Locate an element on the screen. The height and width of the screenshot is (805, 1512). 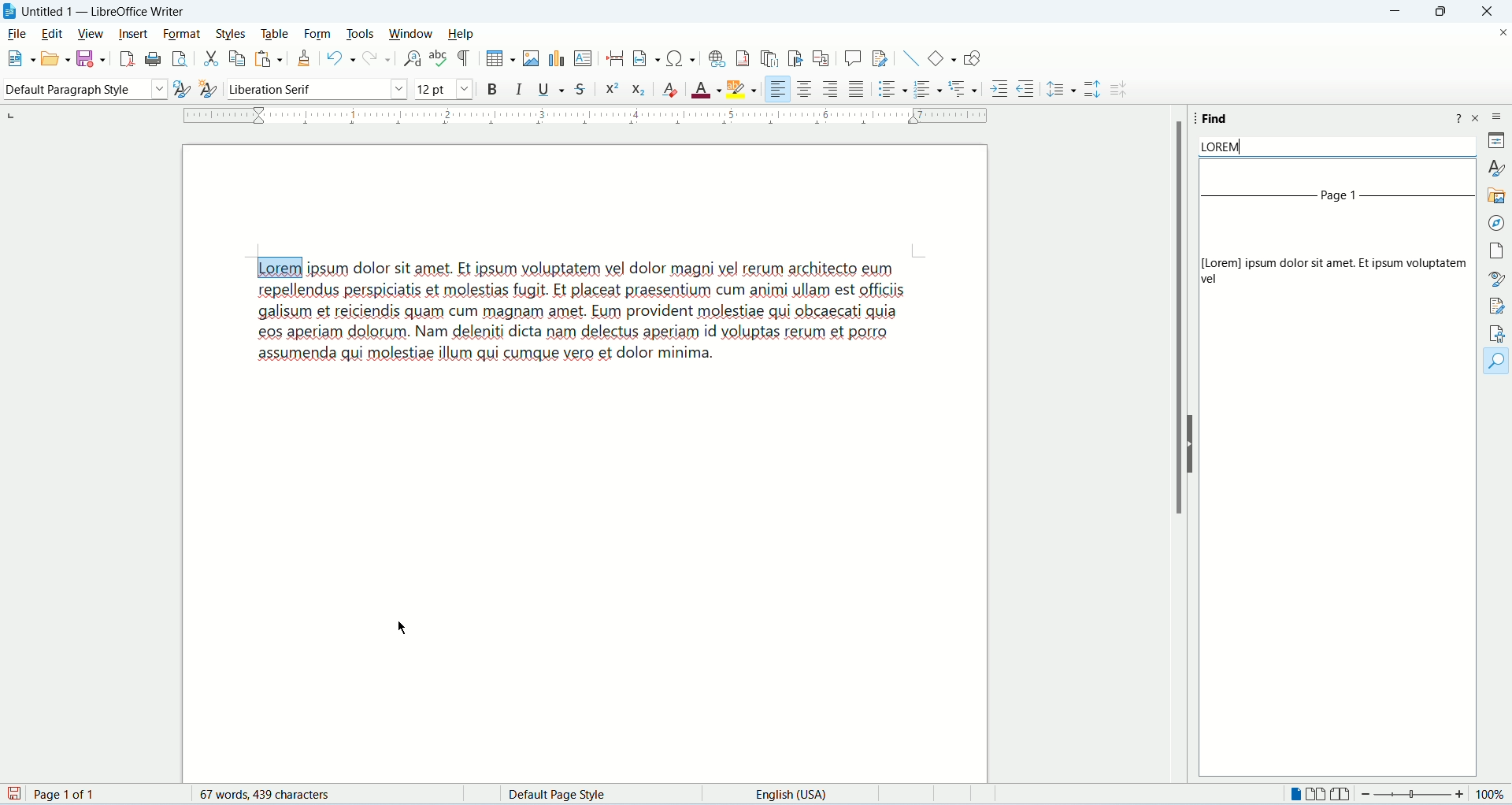
standard selection is located at coordinates (948, 796).